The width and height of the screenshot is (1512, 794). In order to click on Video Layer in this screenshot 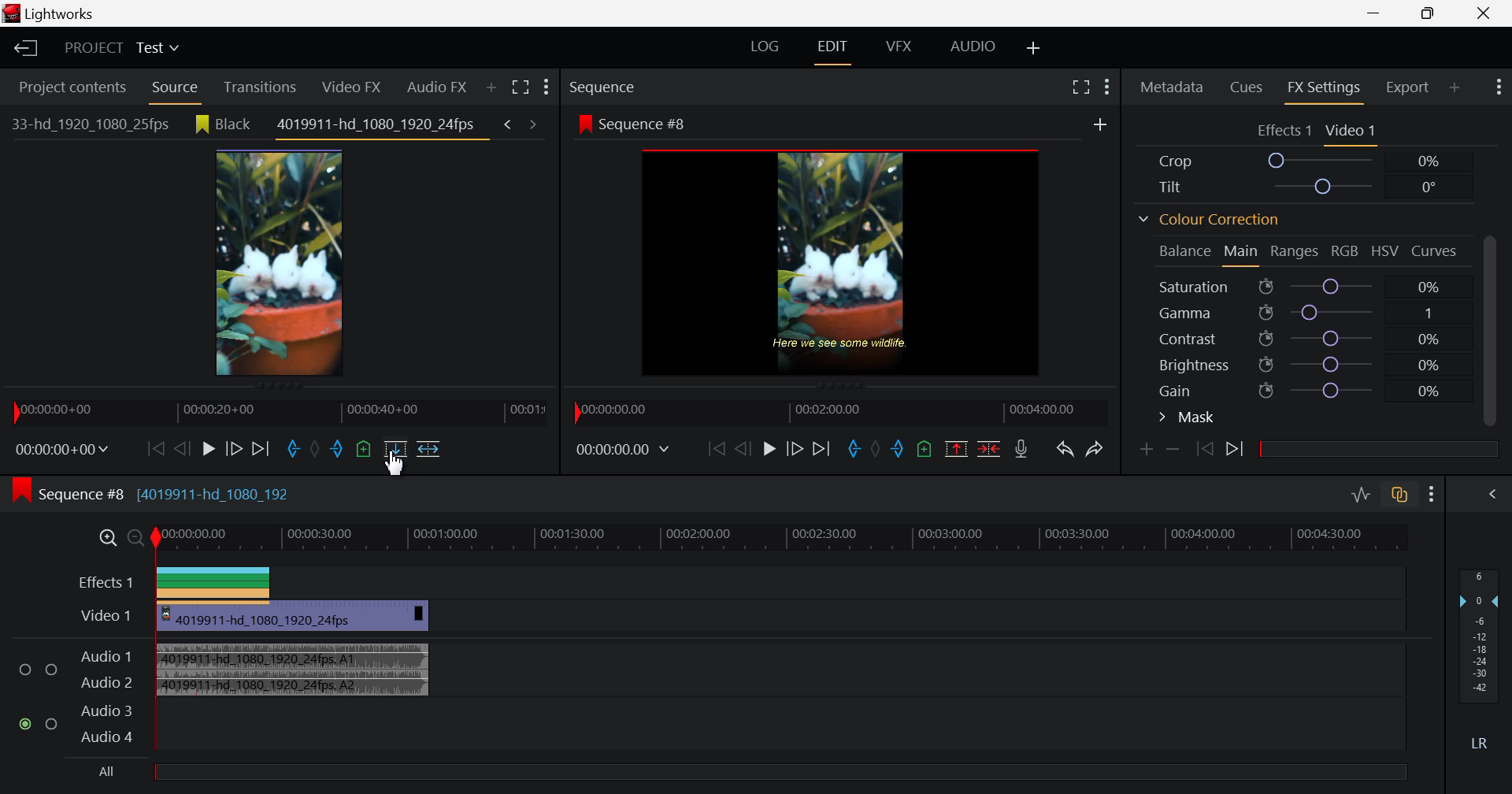, I will do `click(106, 615)`.